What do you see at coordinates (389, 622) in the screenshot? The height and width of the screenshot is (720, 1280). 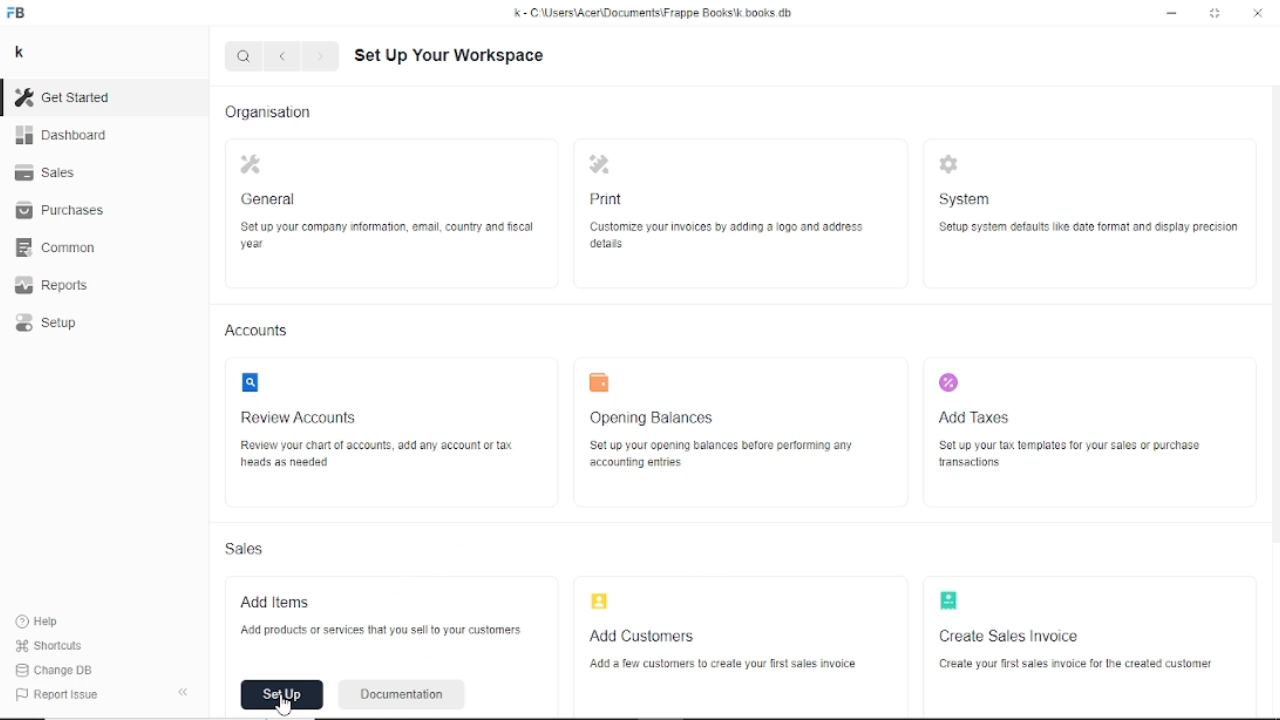 I see `Add items    Add products or services that you sell to your customers.` at bounding box center [389, 622].